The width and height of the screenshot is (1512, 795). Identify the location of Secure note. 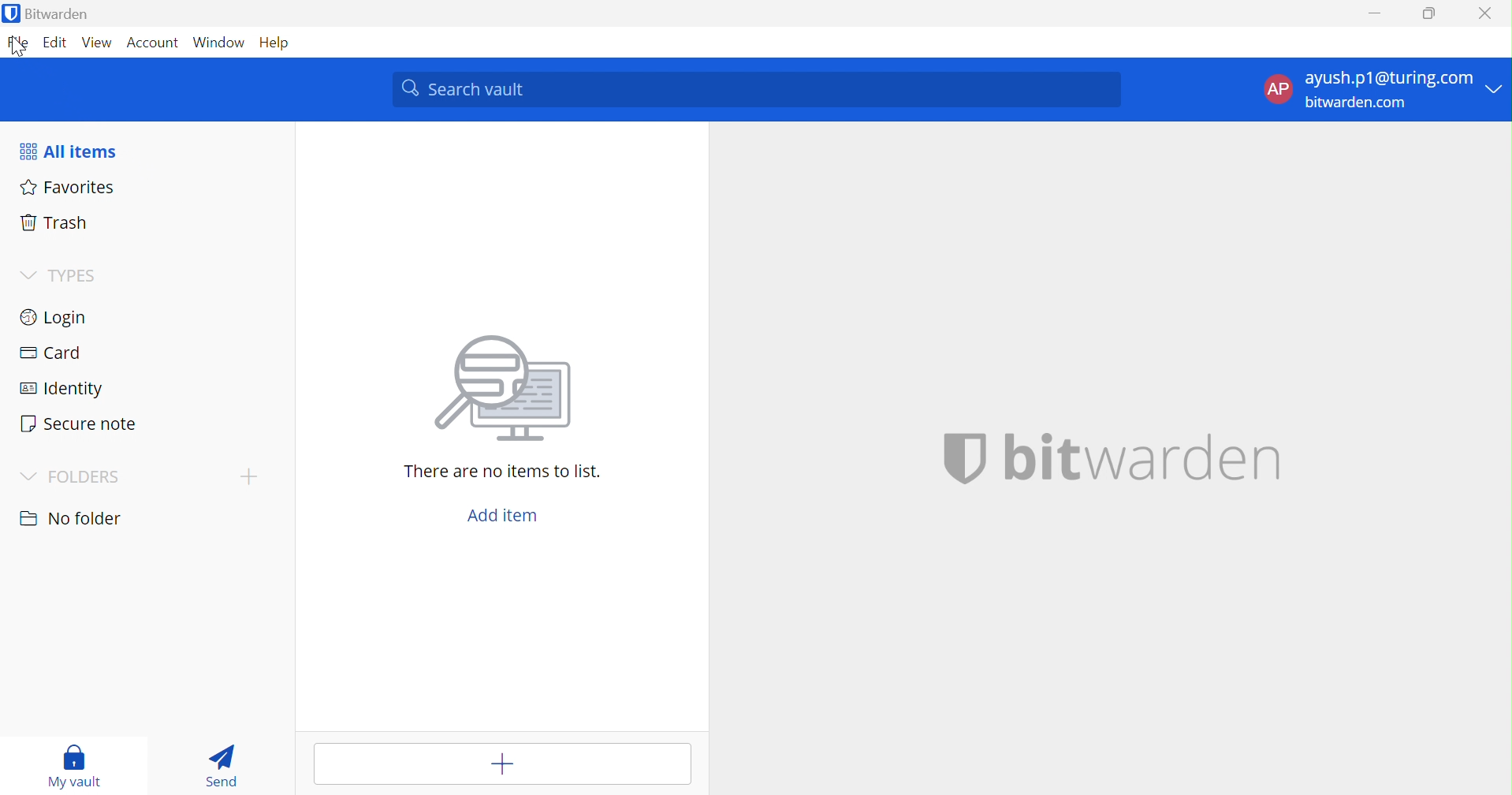
(80, 423).